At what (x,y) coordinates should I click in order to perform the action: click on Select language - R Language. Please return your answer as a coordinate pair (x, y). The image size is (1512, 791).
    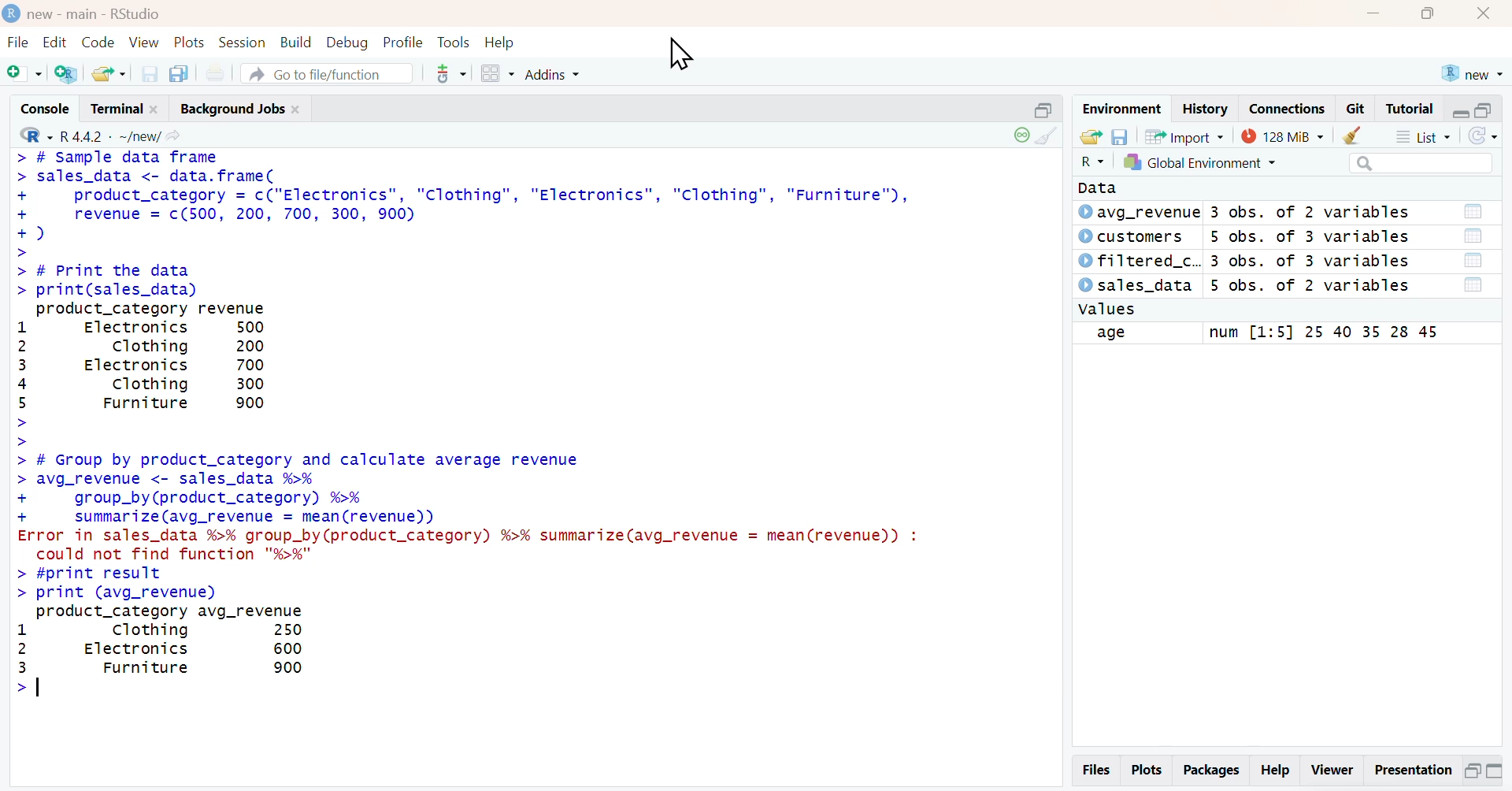
    Looking at the image, I should click on (33, 136).